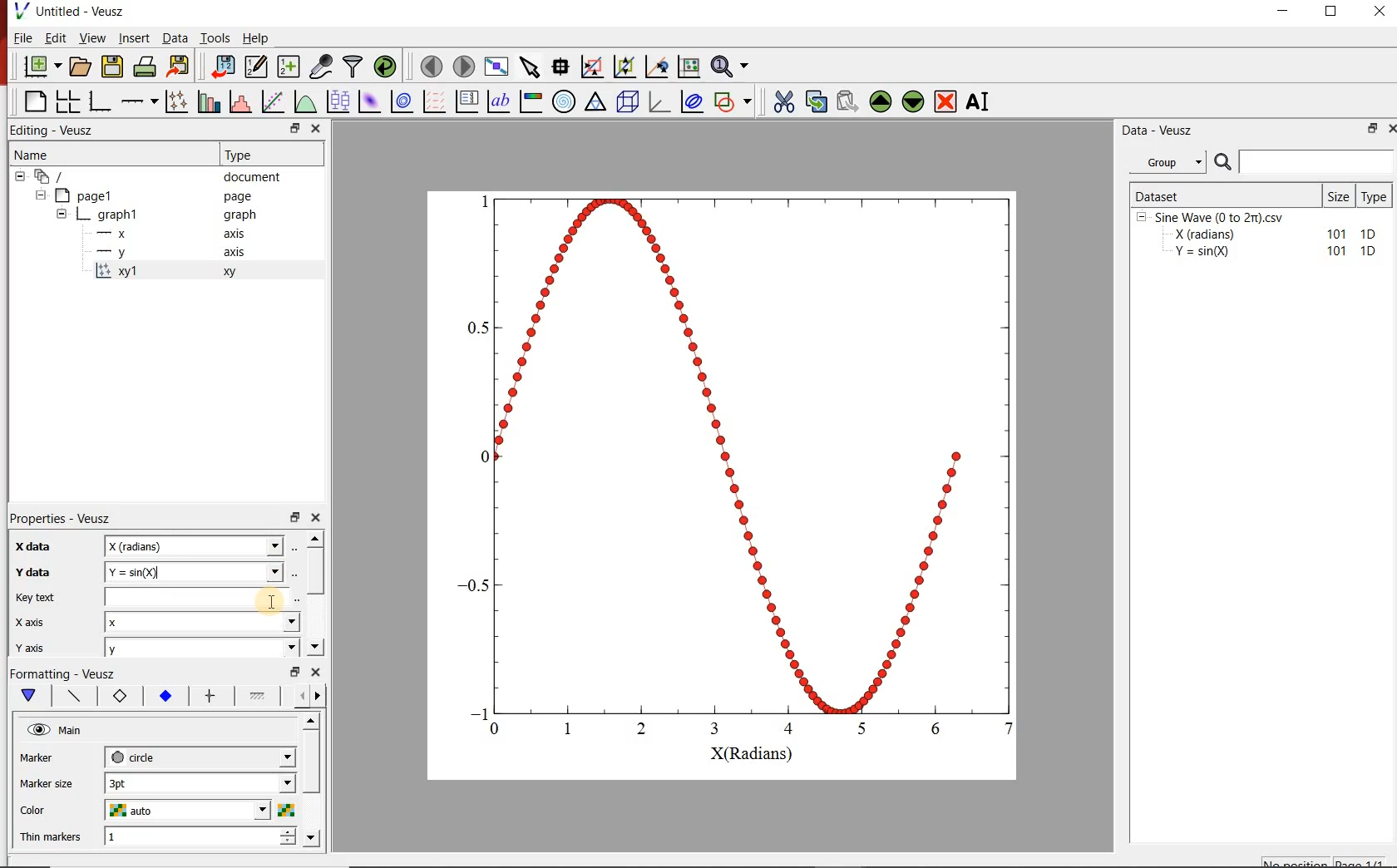 The width and height of the screenshot is (1397, 868). I want to click on capture remote data, so click(323, 67).